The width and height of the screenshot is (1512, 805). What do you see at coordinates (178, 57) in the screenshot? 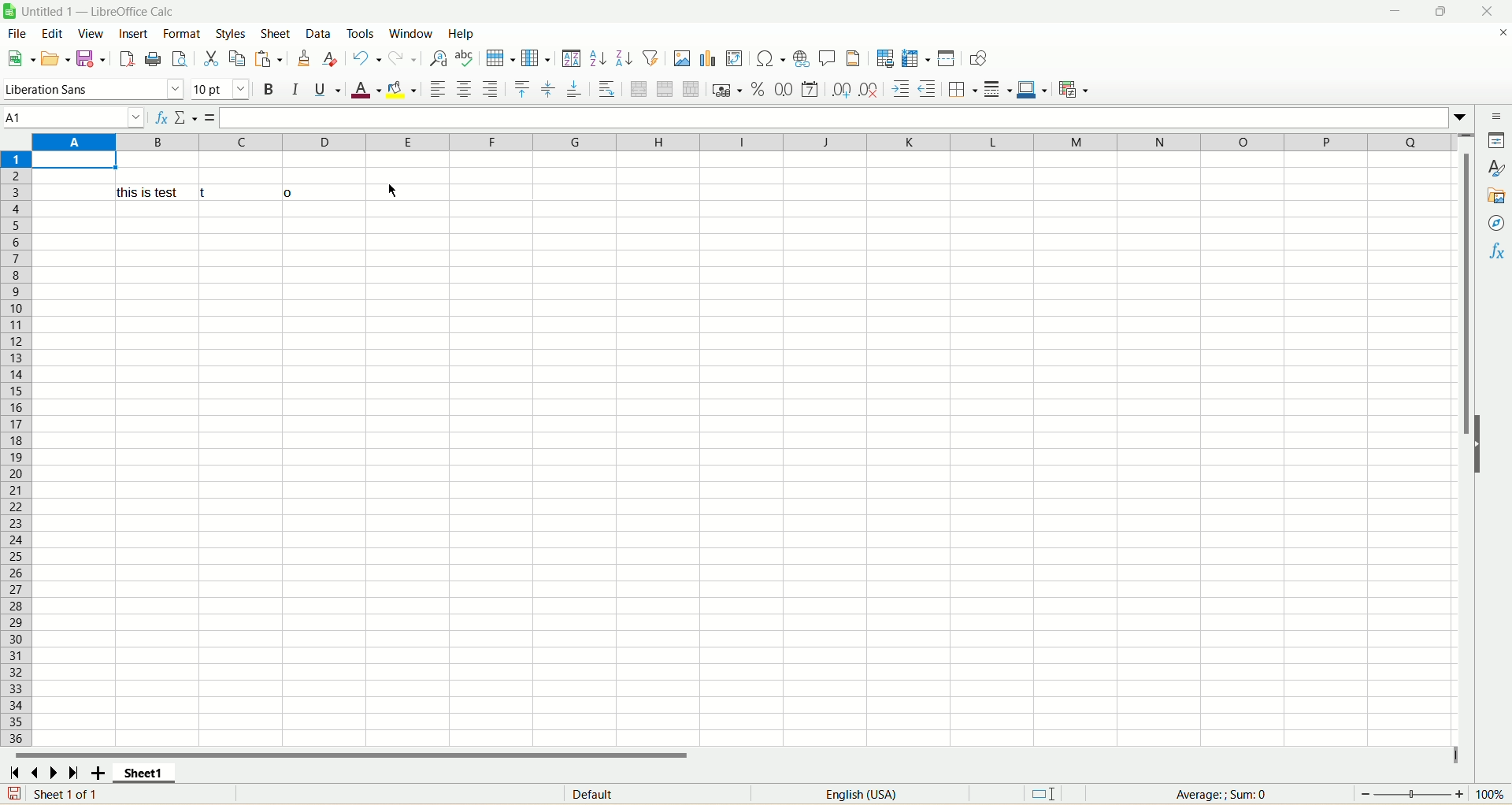
I see `print preview` at bounding box center [178, 57].